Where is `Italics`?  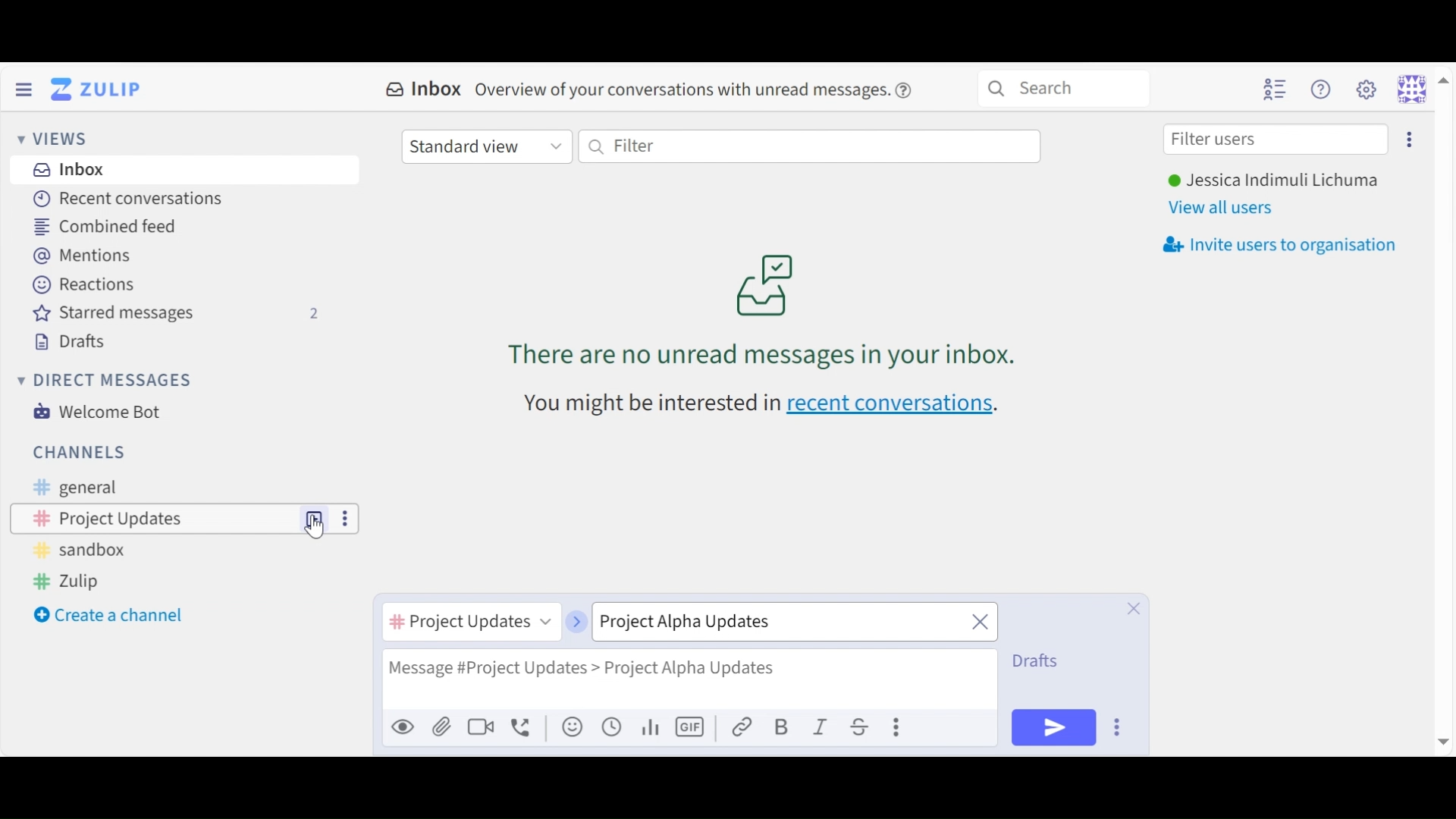 Italics is located at coordinates (821, 726).